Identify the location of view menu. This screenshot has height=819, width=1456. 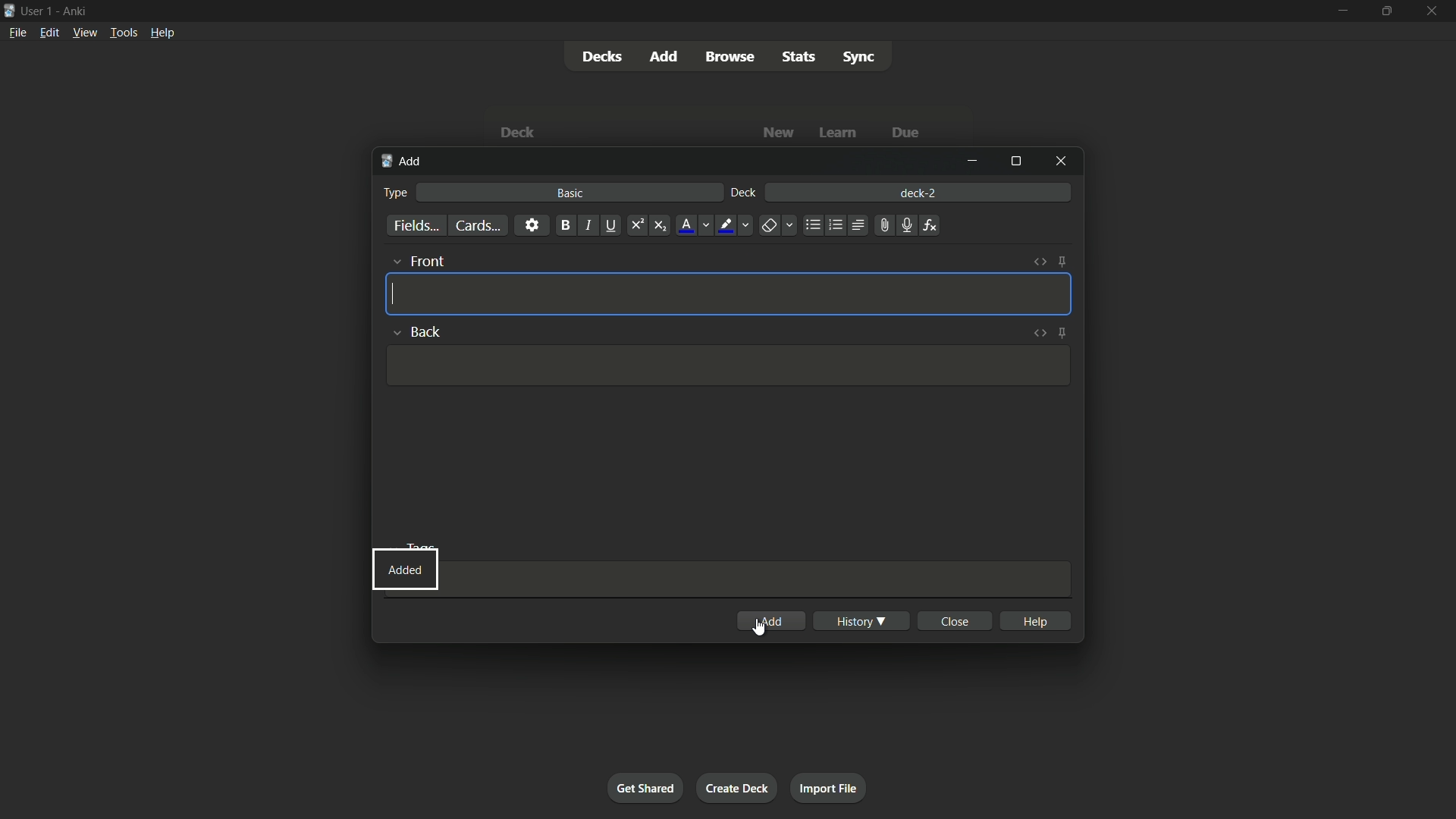
(84, 33).